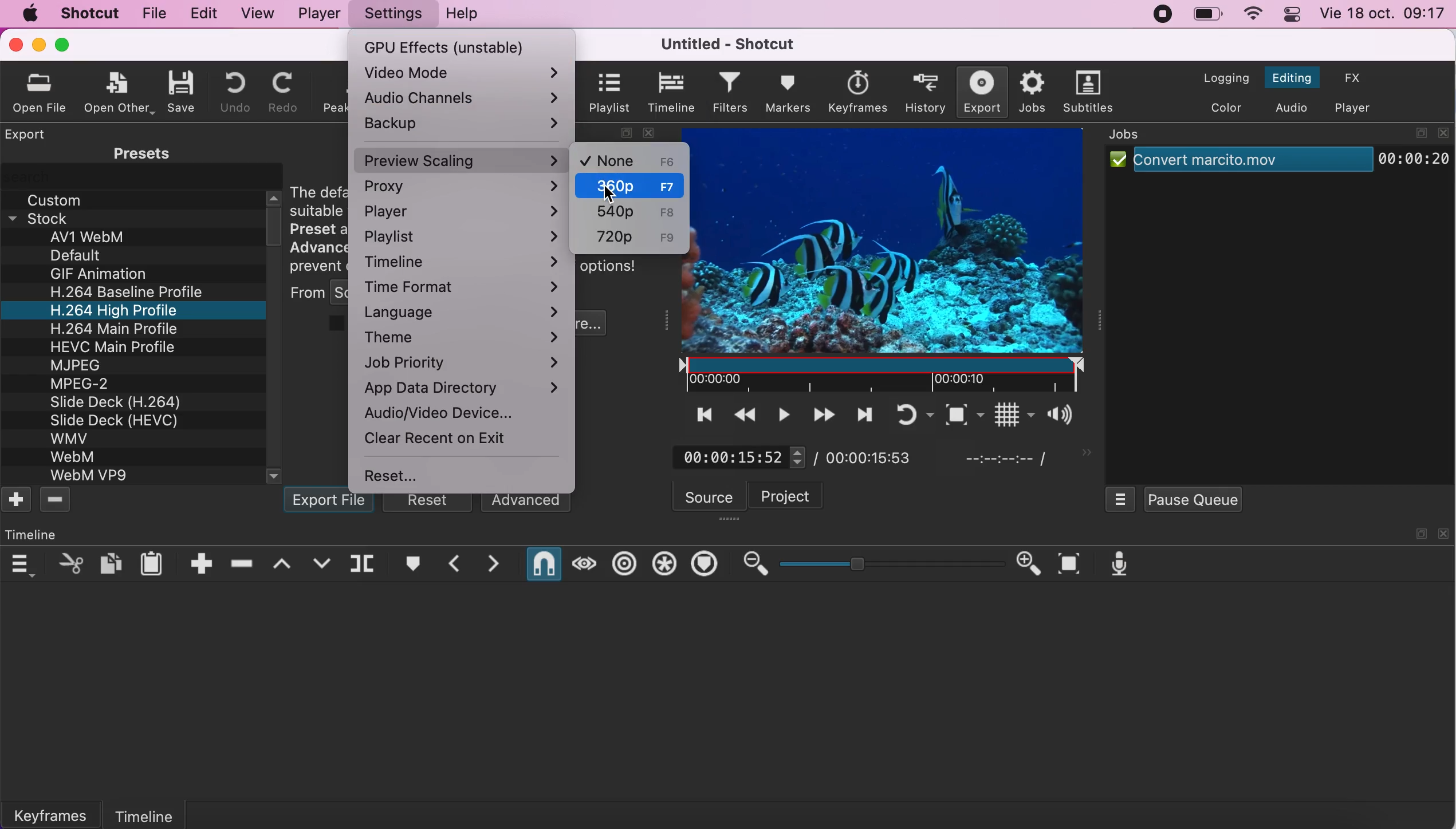 This screenshot has height=829, width=1456. Describe the element at coordinates (110, 327) in the screenshot. I see `H 264 Main Profile` at that location.